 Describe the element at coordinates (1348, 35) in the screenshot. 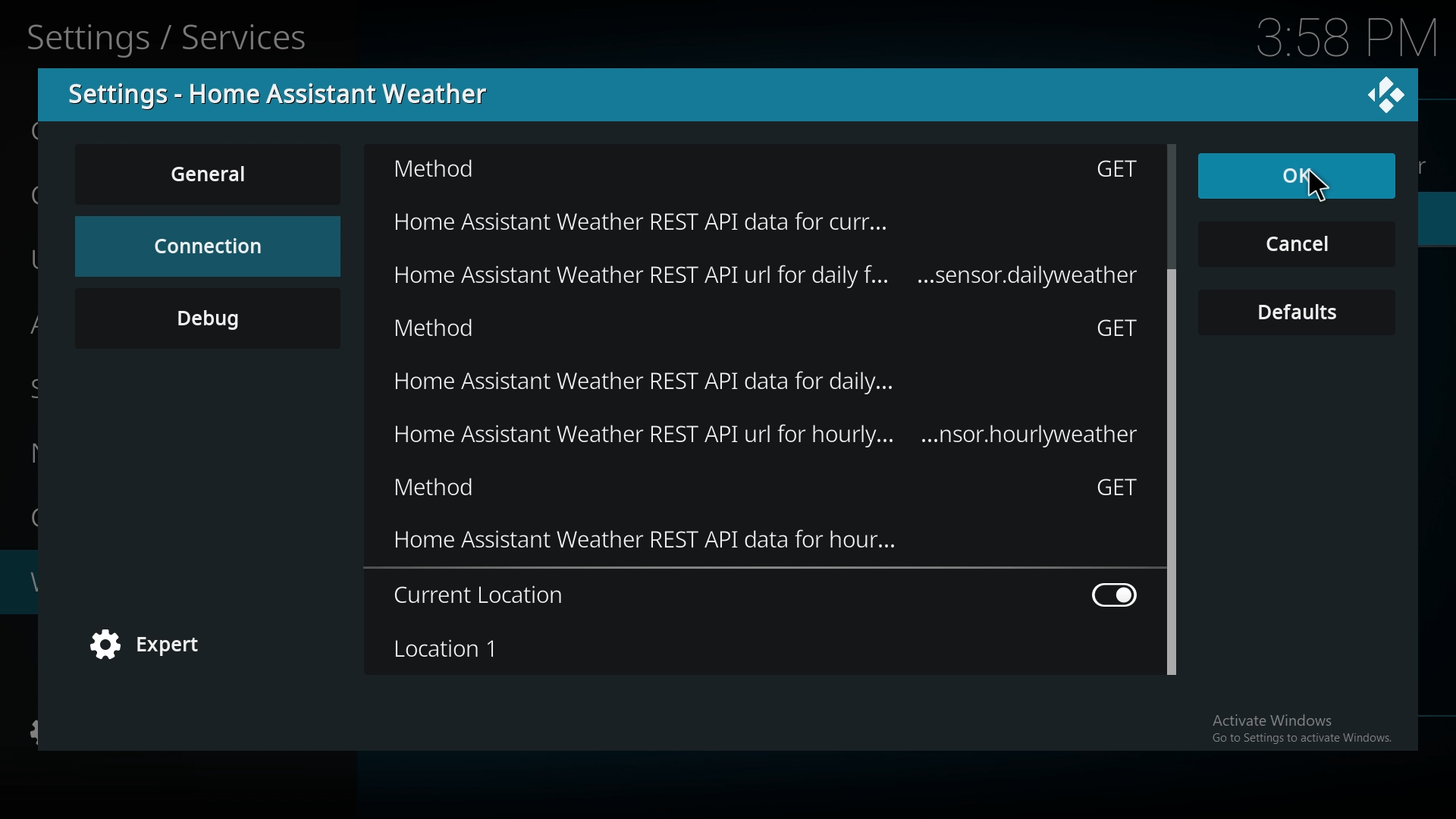

I see `Time` at that location.